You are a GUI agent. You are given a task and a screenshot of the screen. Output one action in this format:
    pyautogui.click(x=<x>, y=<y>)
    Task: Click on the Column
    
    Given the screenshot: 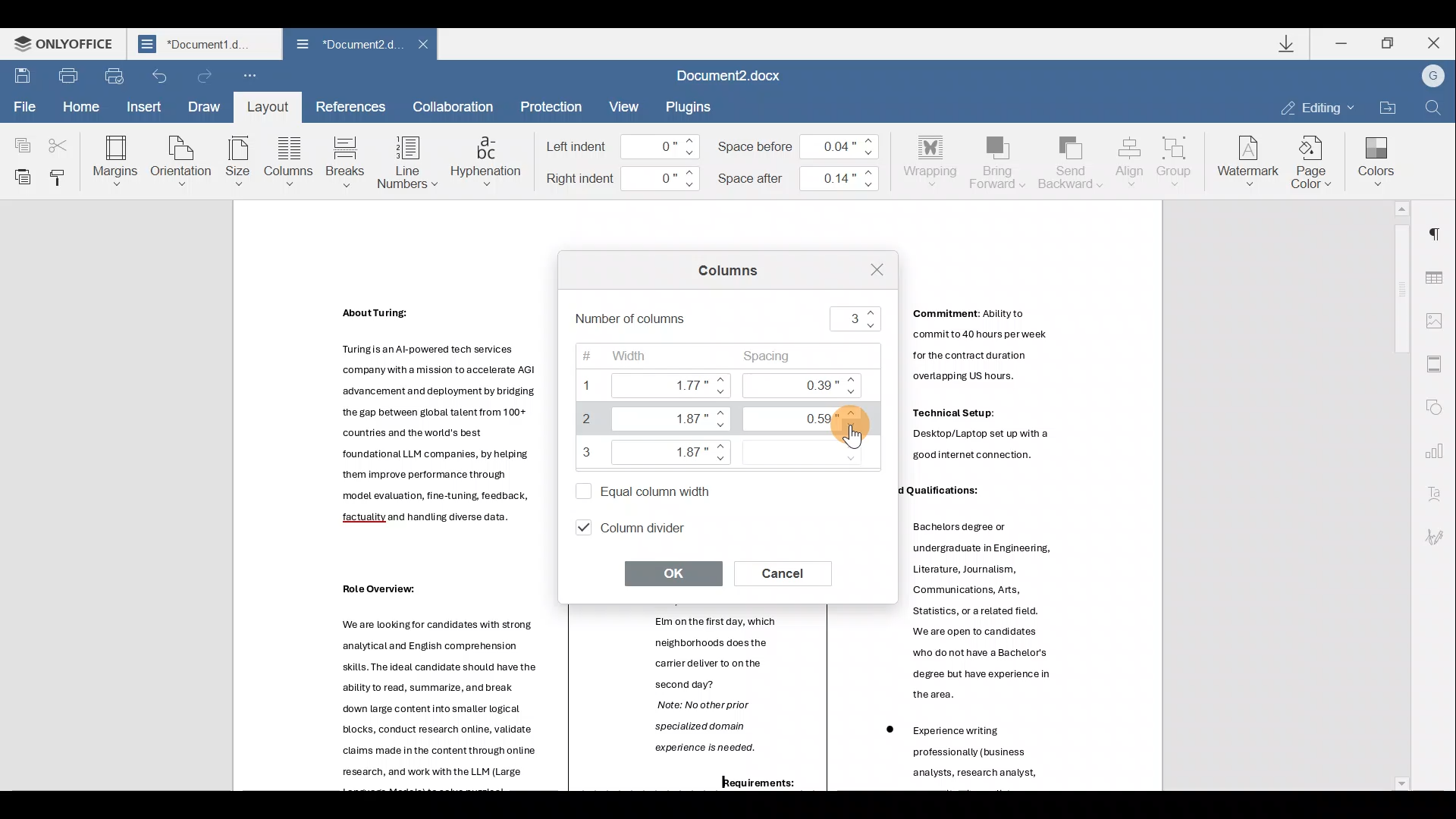 What is the action you would take?
    pyautogui.click(x=291, y=165)
    